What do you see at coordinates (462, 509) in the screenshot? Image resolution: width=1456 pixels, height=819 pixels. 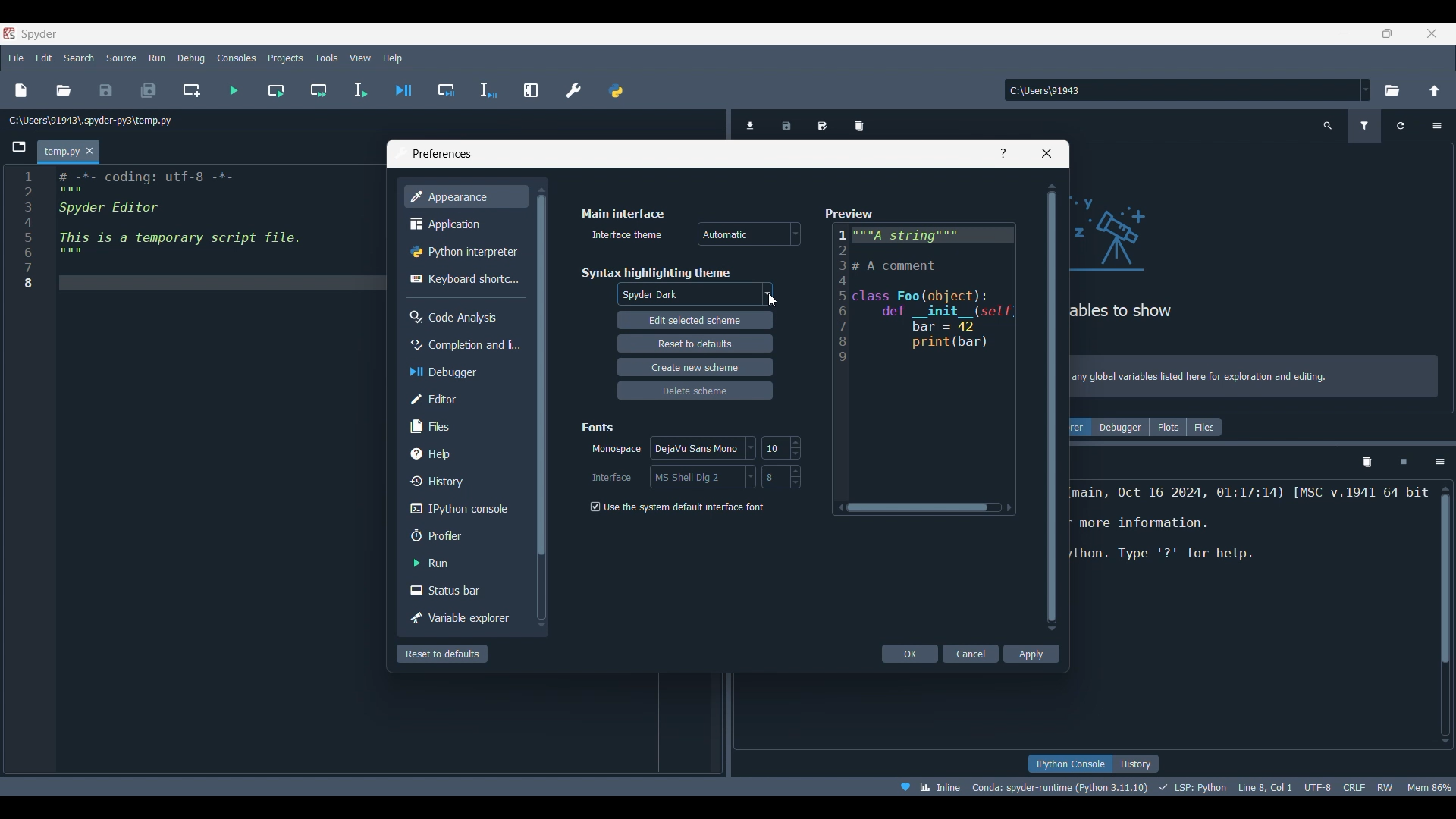 I see `IPython console` at bounding box center [462, 509].